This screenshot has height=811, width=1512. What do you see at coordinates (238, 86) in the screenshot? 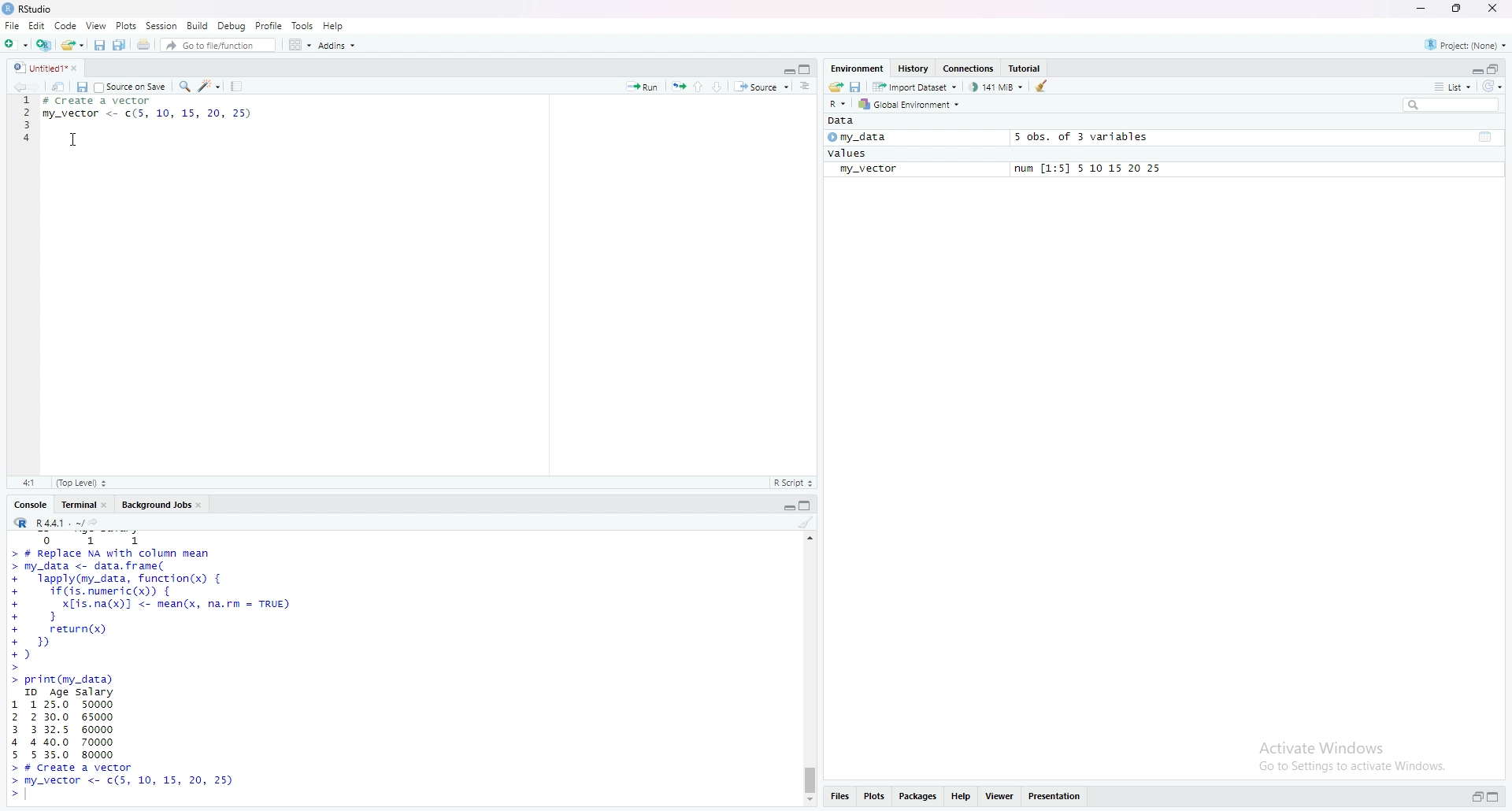
I see `compile report` at bounding box center [238, 86].